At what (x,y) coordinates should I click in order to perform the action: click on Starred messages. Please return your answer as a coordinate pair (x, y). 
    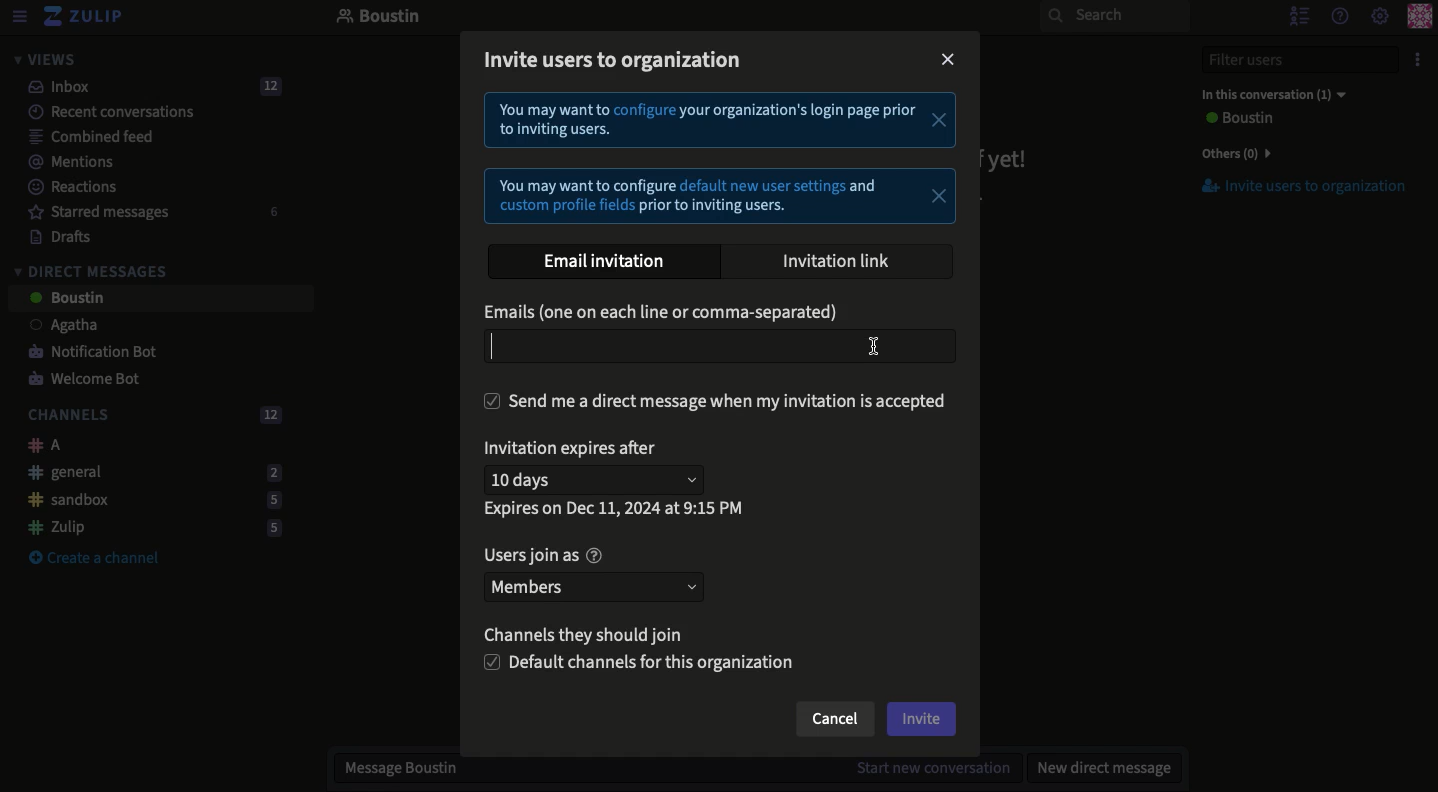
    Looking at the image, I should click on (150, 212).